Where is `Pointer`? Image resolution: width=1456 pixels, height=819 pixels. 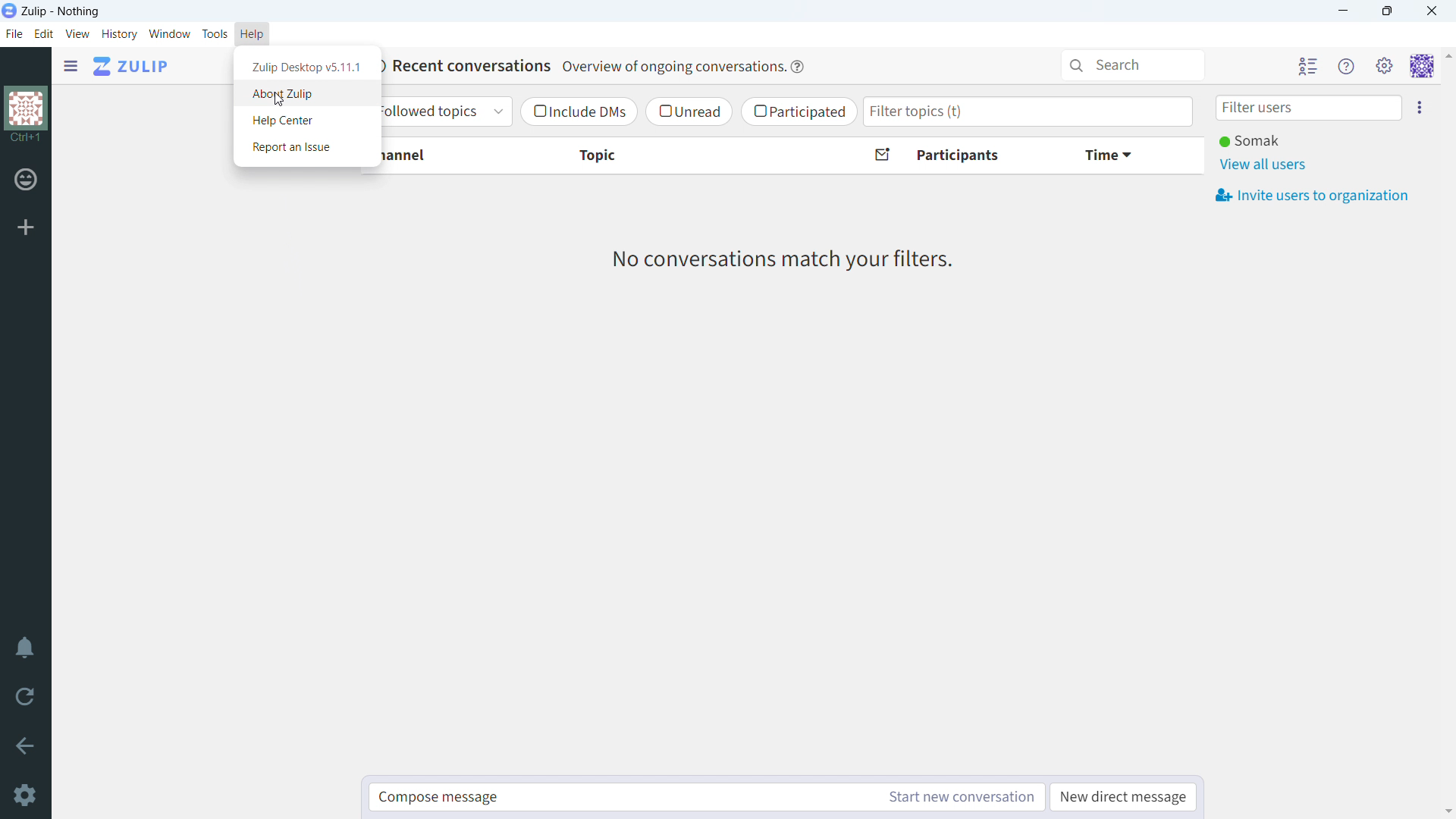
Pointer is located at coordinates (284, 103).